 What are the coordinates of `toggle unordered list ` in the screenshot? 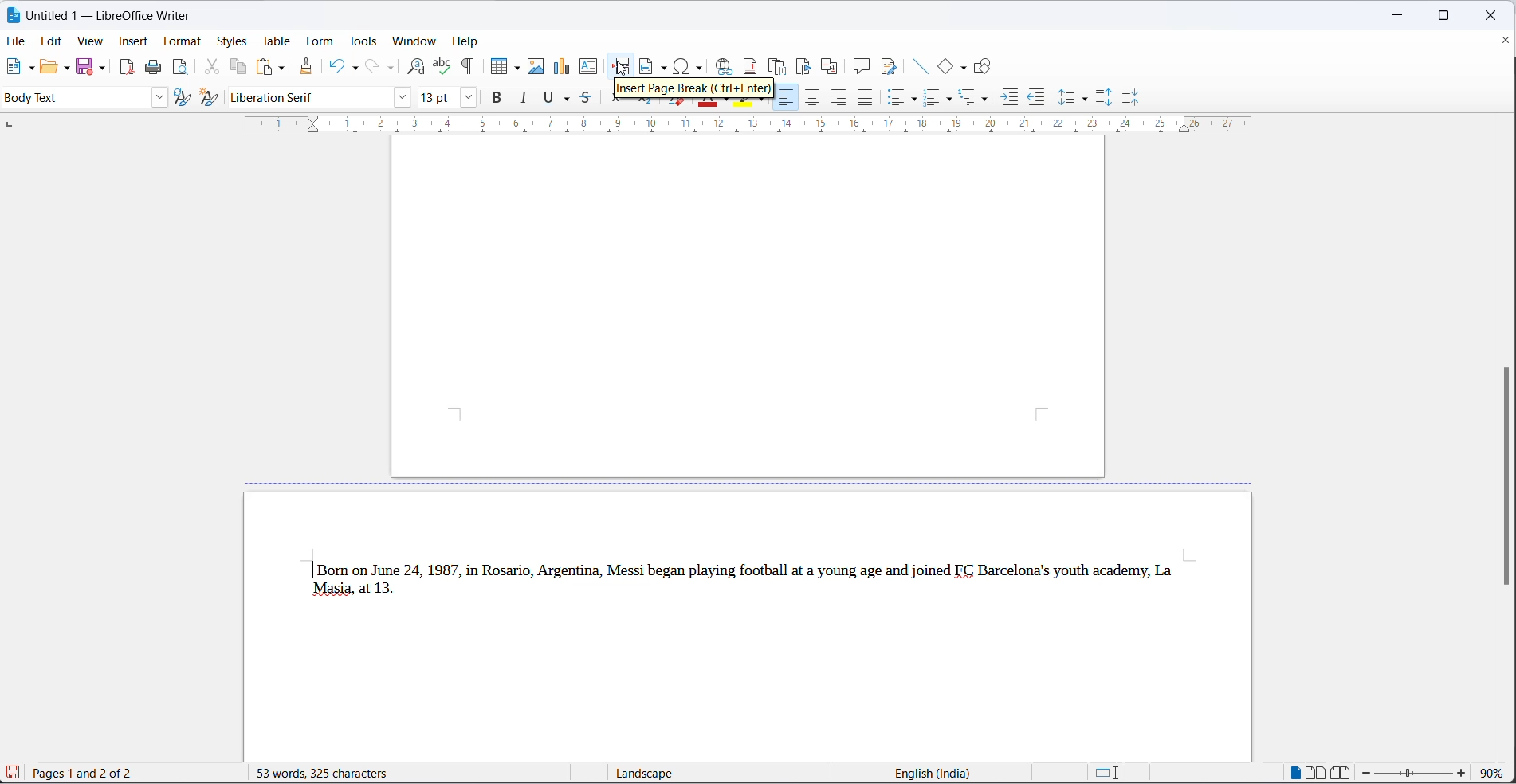 It's located at (895, 98).